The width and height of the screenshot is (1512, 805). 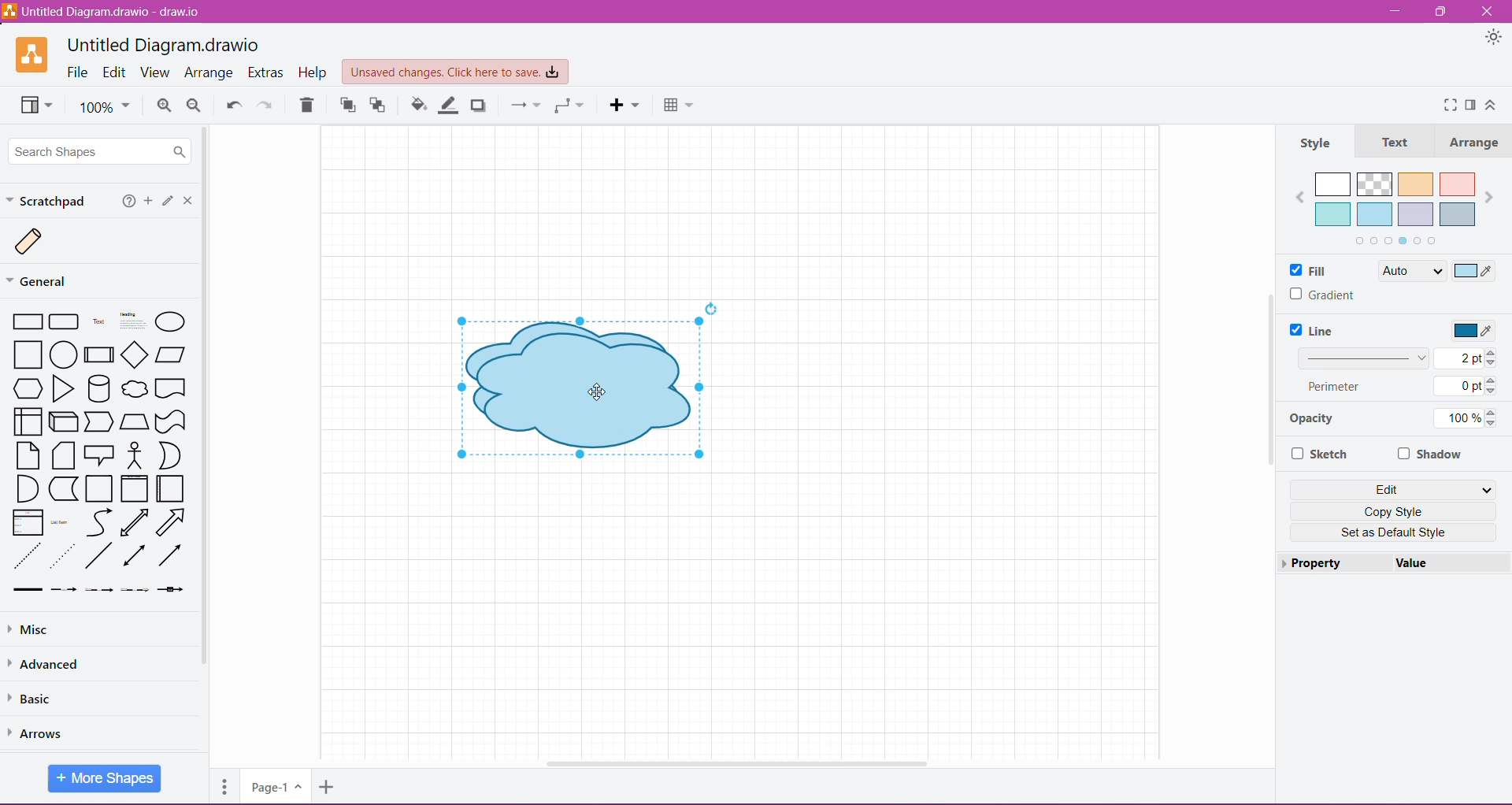 What do you see at coordinates (1488, 10) in the screenshot?
I see `Close` at bounding box center [1488, 10].